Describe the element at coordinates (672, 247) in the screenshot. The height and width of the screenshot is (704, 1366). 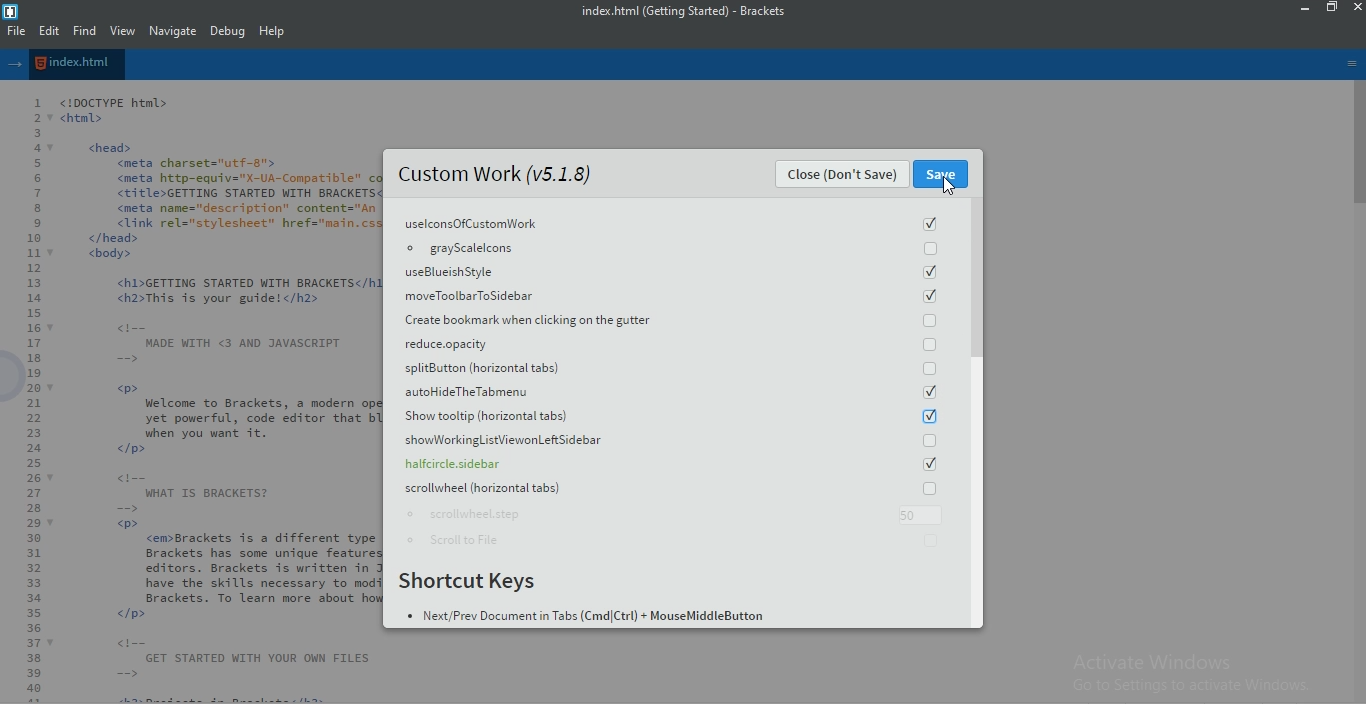
I see `grayscalelcons` at that location.